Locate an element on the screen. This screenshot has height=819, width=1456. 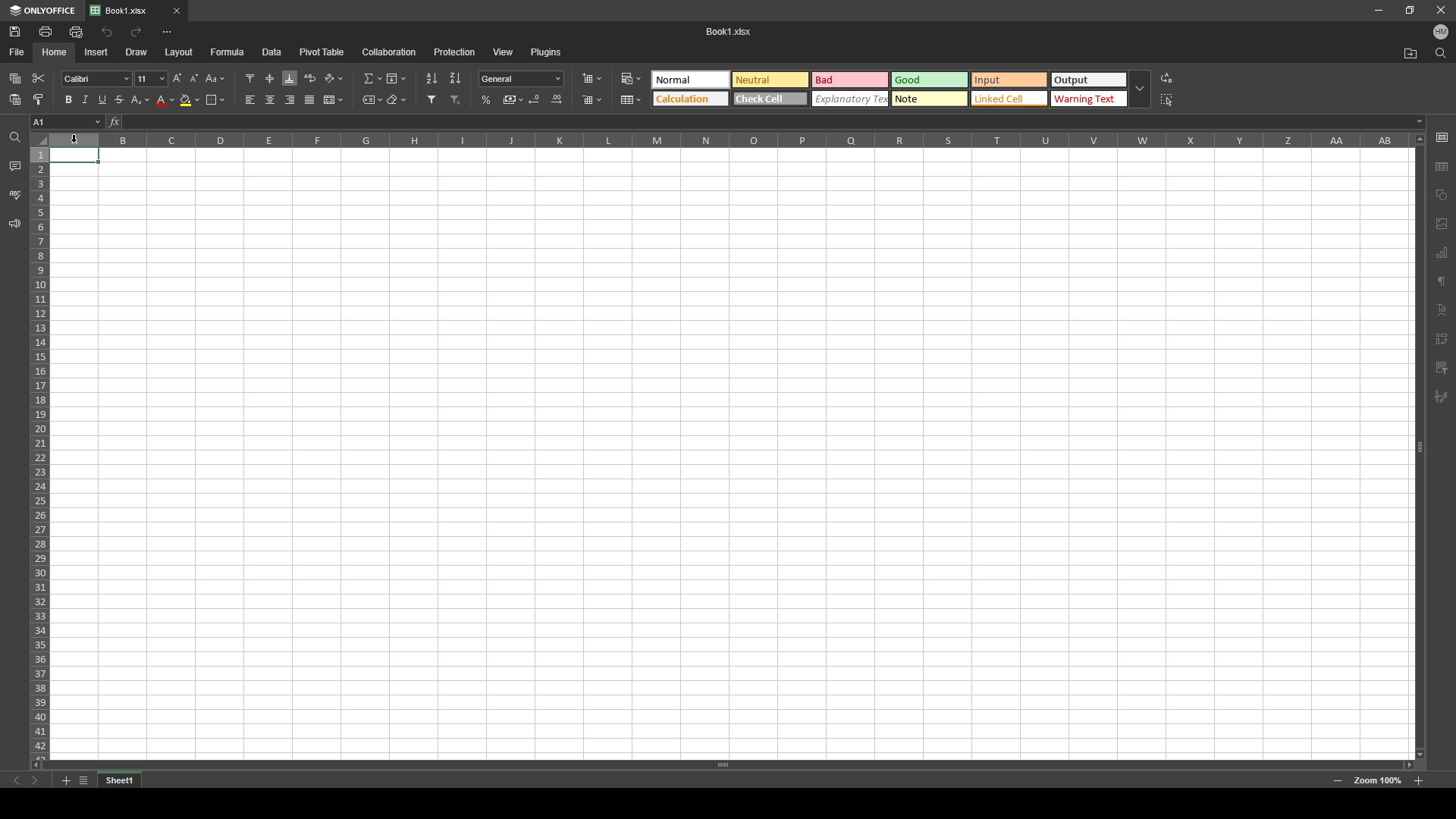
select all cells is located at coordinates (39, 139).